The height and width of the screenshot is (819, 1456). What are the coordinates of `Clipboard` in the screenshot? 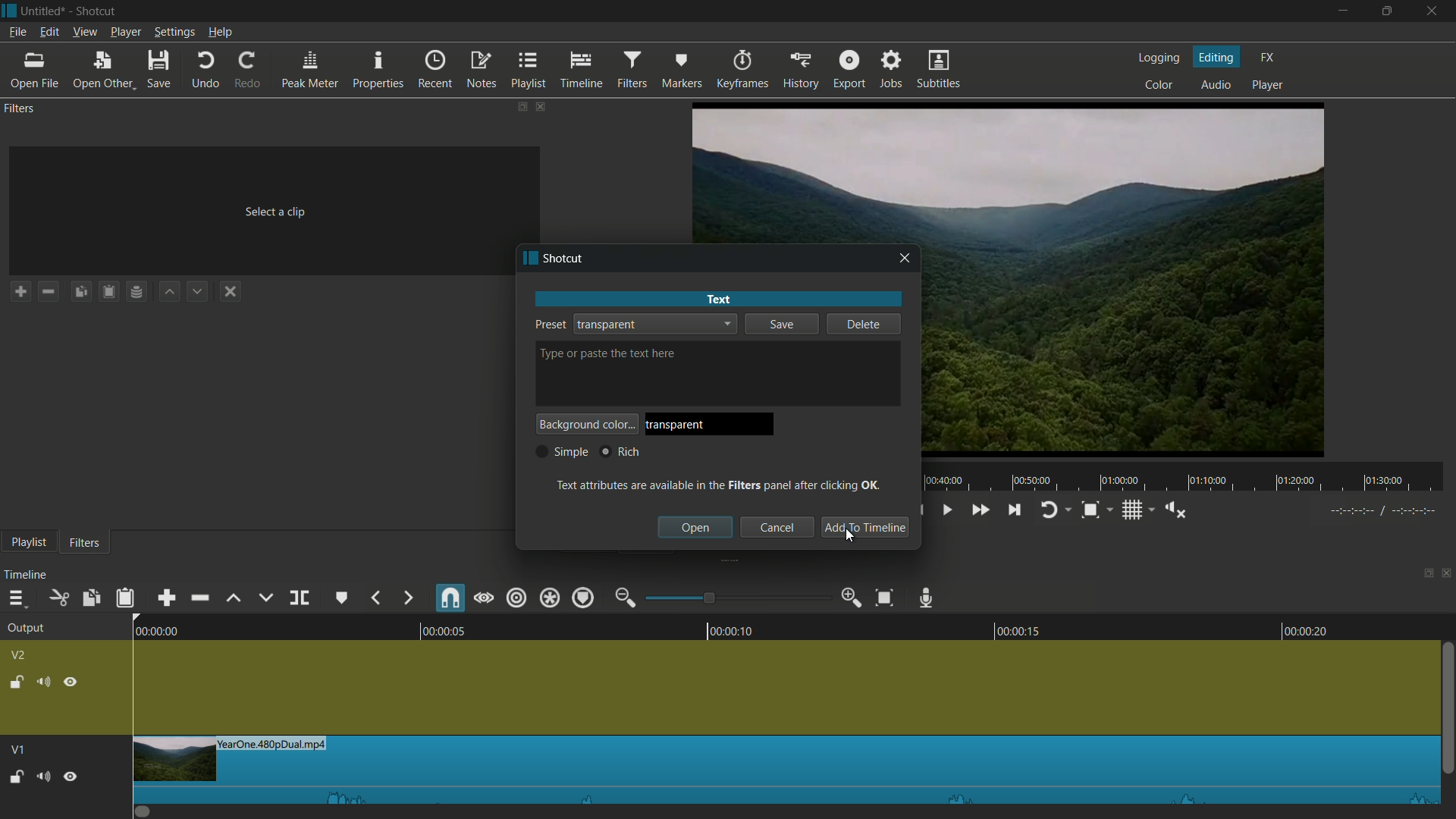 It's located at (111, 292).